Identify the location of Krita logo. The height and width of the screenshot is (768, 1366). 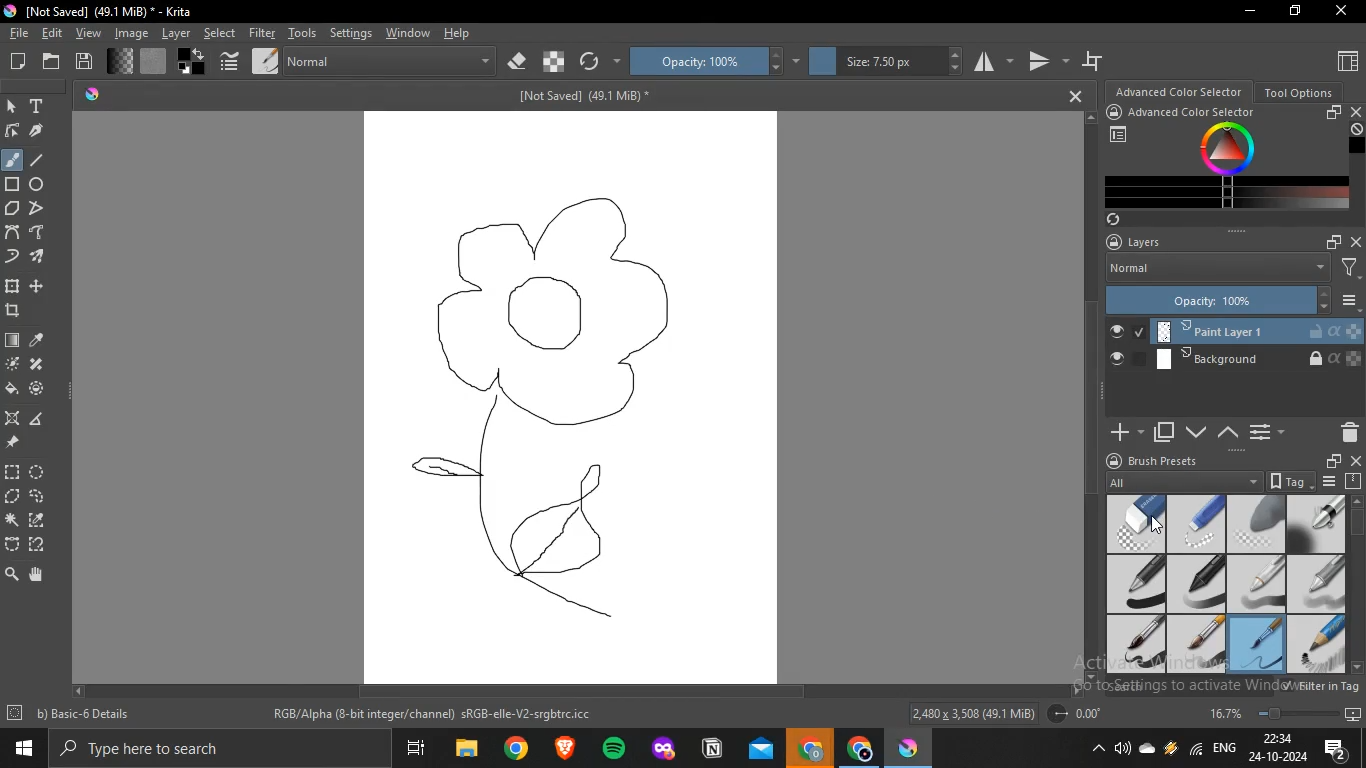
(91, 93).